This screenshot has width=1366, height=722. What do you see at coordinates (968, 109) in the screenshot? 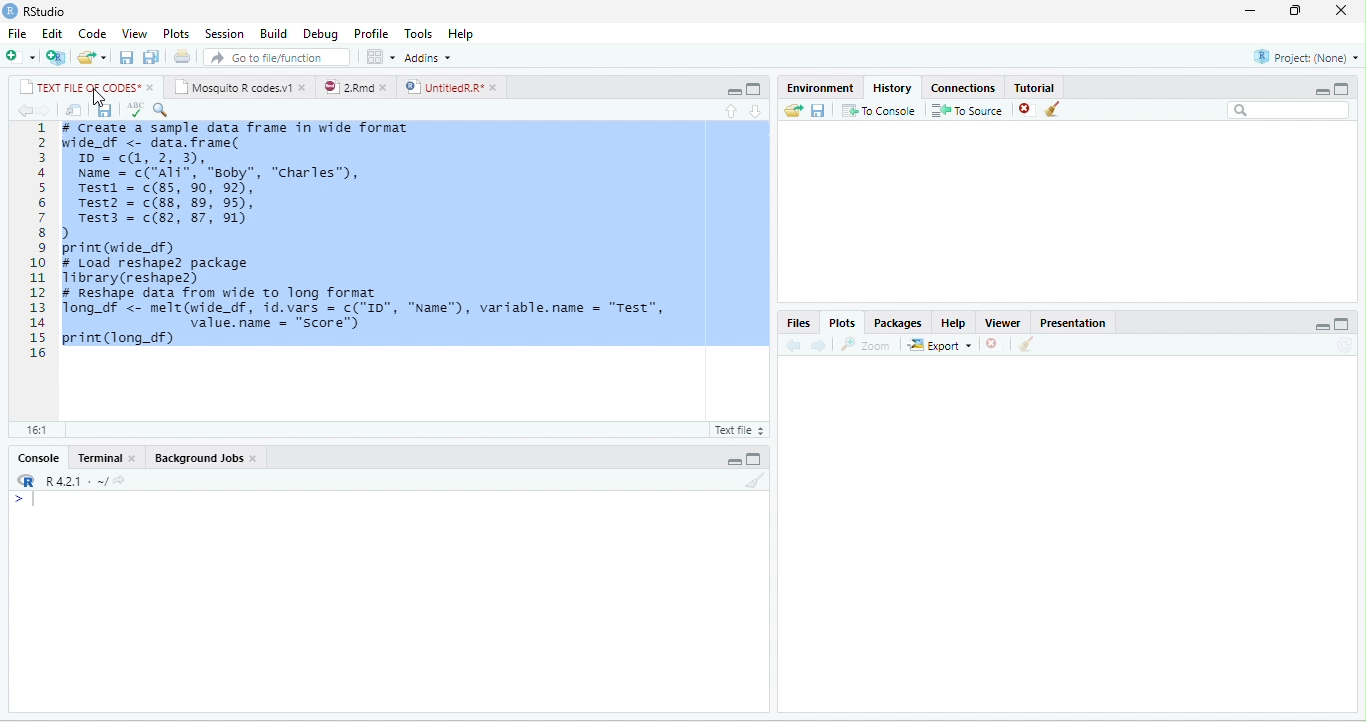
I see `To Source` at bounding box center [968, 109].